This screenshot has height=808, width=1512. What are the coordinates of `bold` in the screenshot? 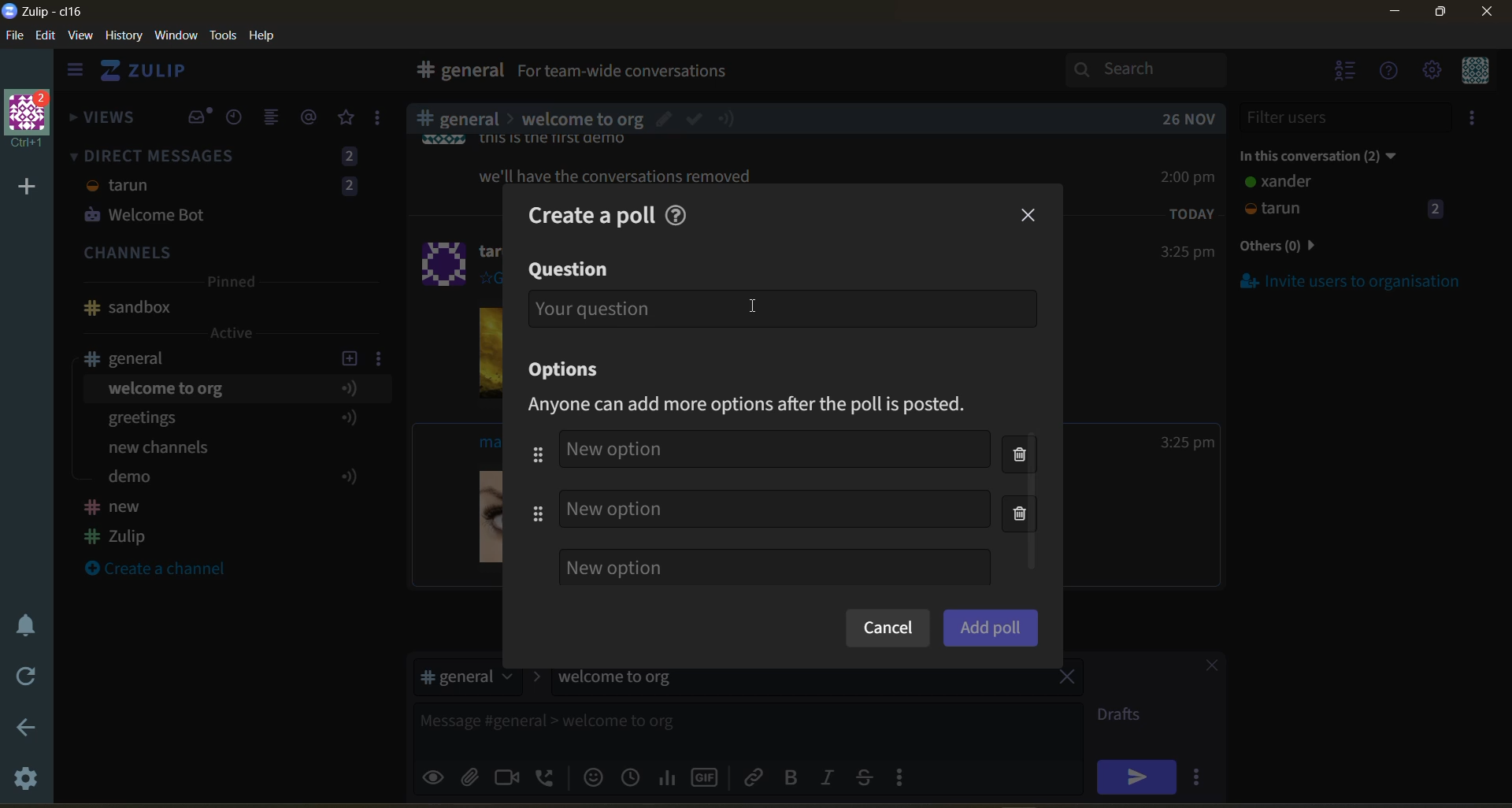 It's located at (790, 778).